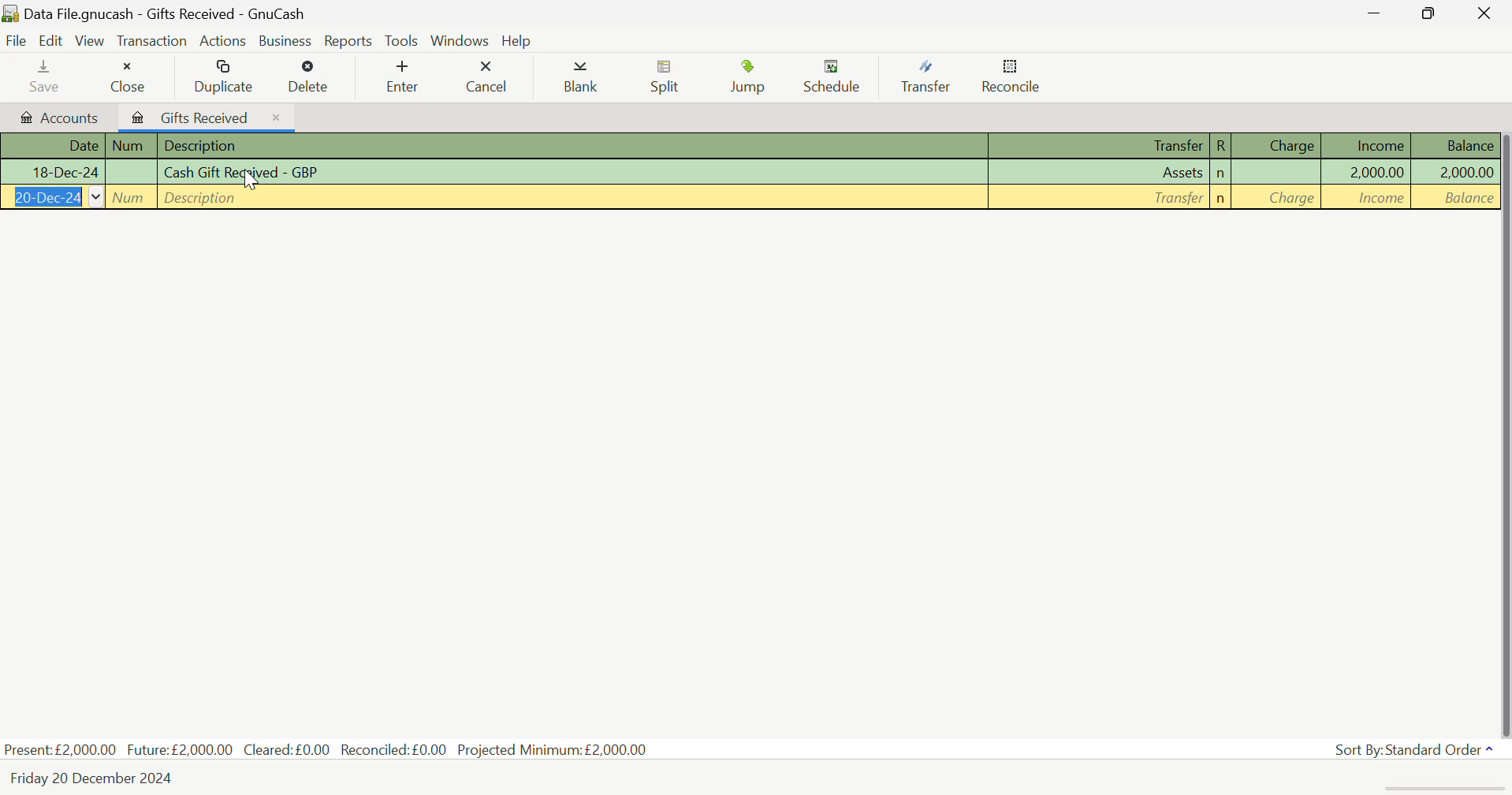 Image resolution: width=1512 pixels, height=795 pixels. What do you see at coordinates (836, 77) in the screenshot?
I see `Schedule` at bounding box center [836, 77].